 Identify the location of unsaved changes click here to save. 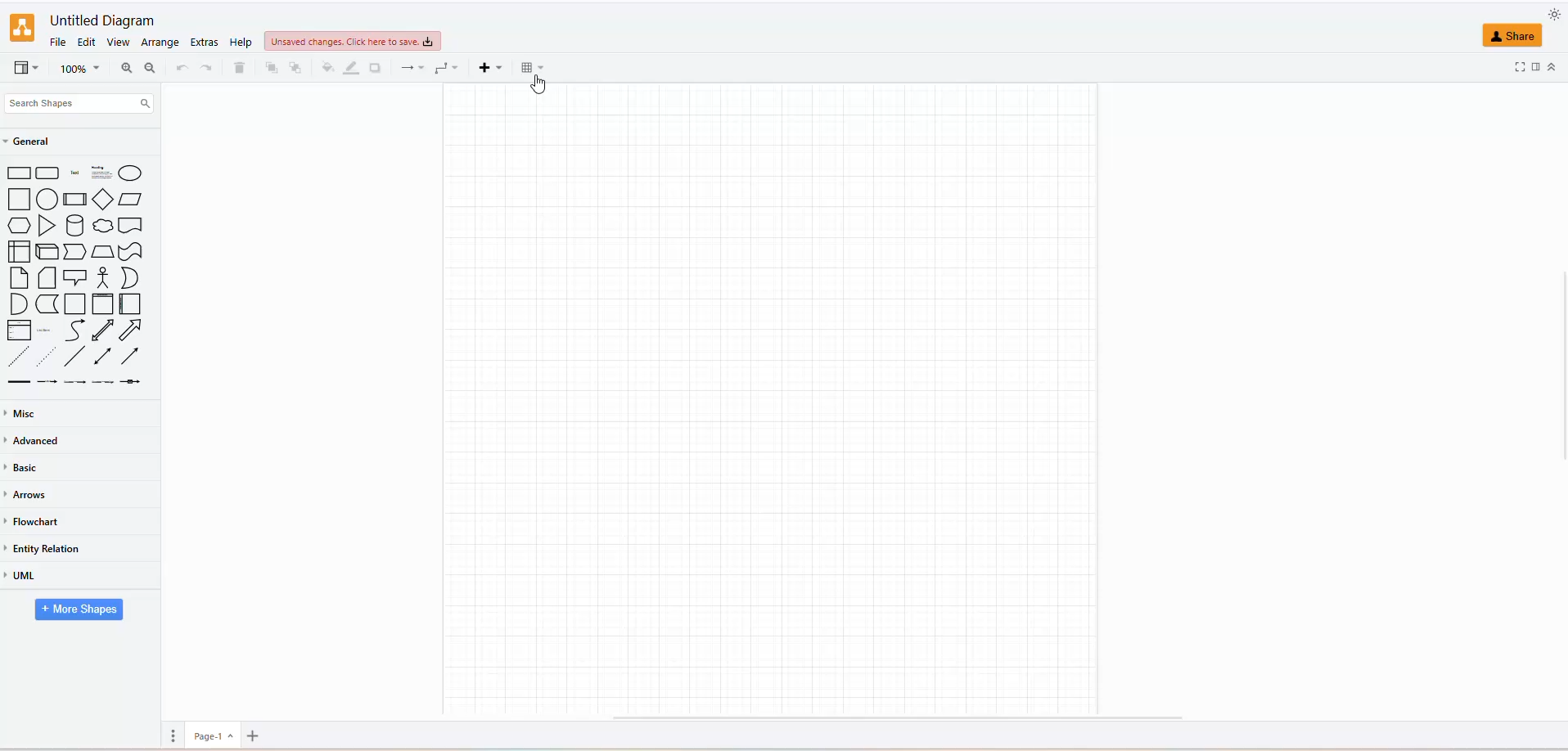
(351, 43).